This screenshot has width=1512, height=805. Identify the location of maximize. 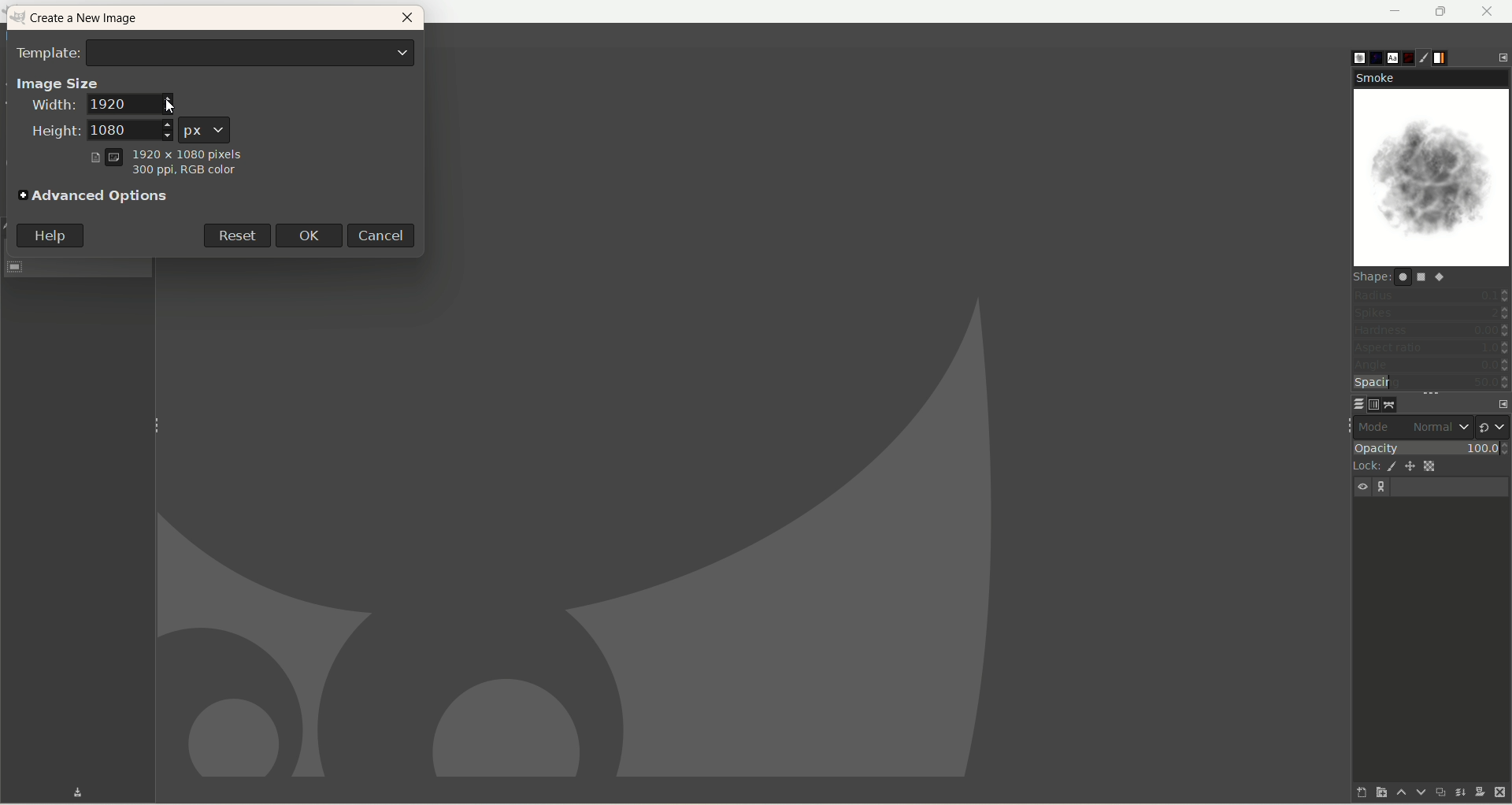
(1442, 12).